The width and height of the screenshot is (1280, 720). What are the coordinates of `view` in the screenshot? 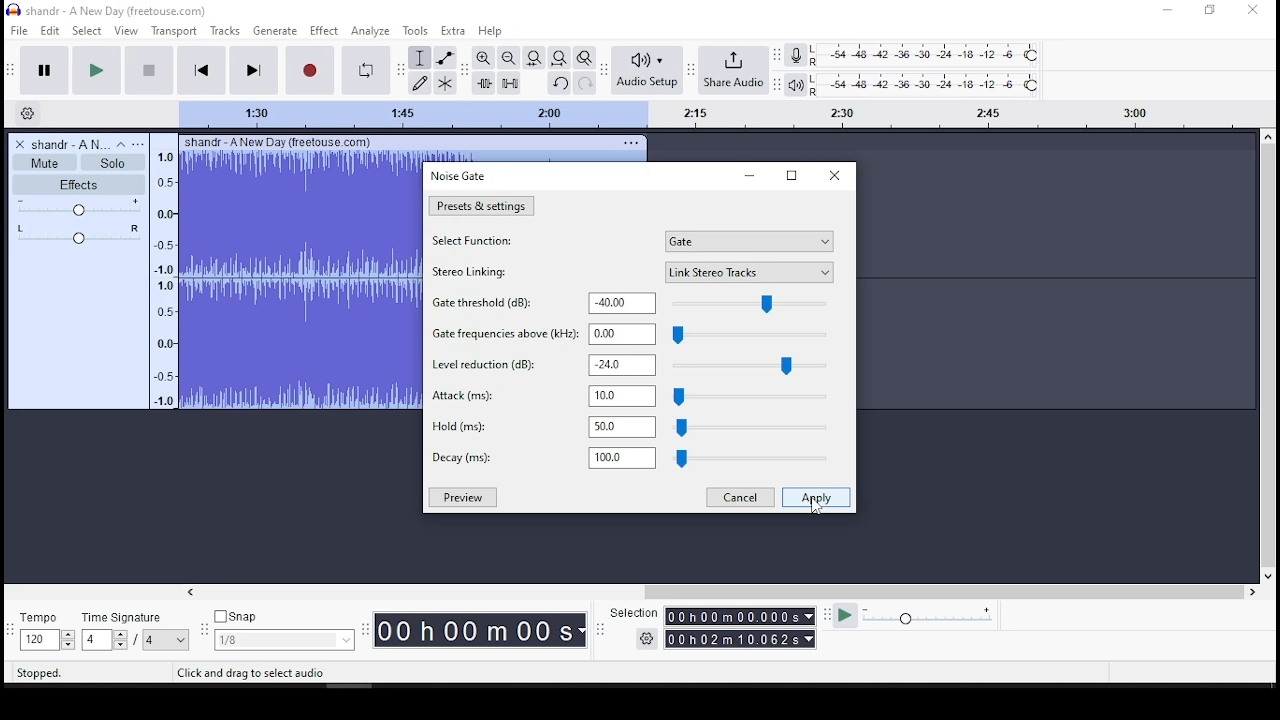 It's located at (127, 31).